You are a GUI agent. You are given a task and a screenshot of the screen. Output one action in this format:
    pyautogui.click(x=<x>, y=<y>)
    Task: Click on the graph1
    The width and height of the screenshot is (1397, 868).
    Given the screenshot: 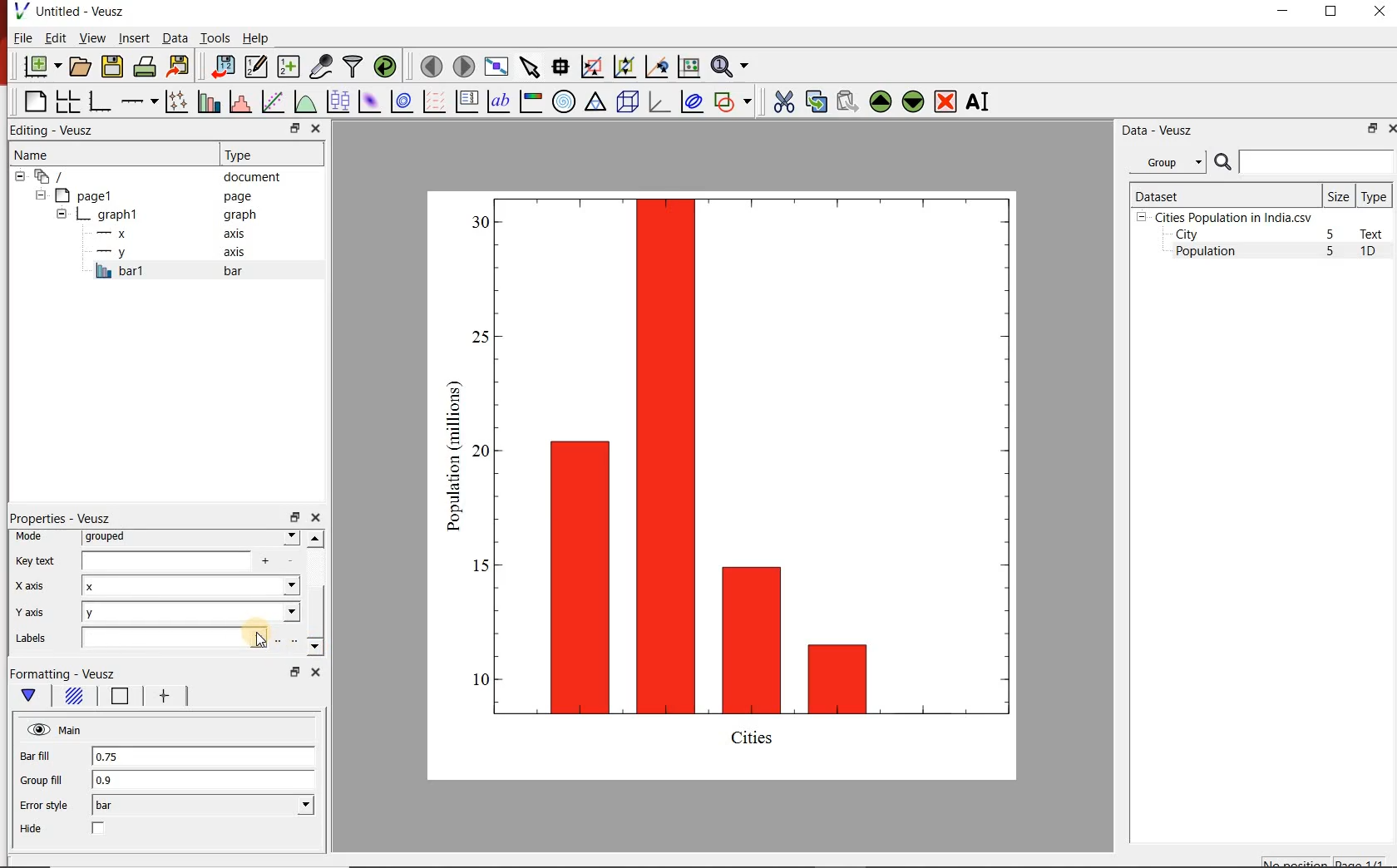 What is the action you would take?
    pyautogui.click(x=159, y=215)
    